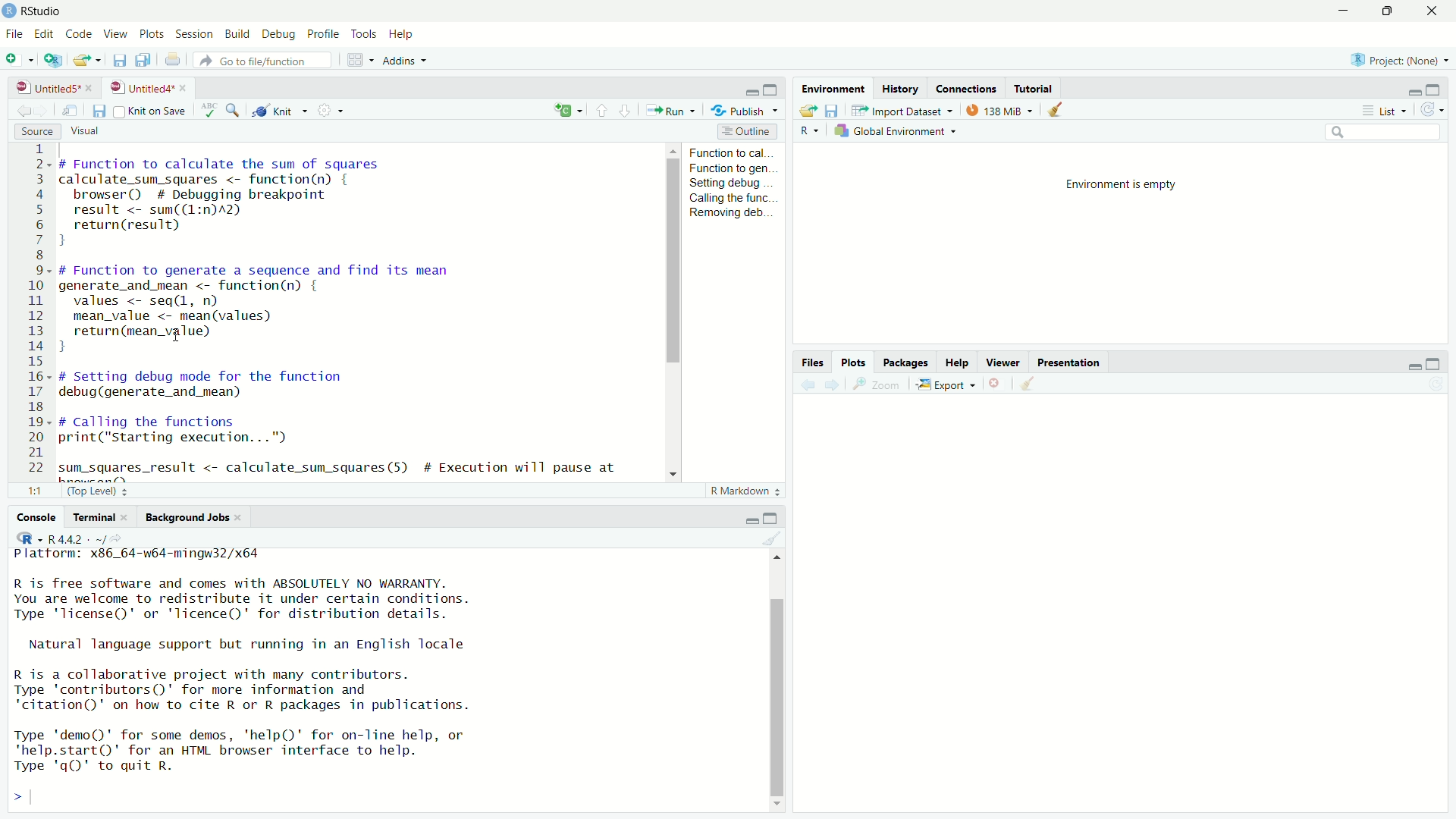 The image size is (1456, 819). Describe the element at coordinates (813, 362) in the screenshot. I see `files` at that location.